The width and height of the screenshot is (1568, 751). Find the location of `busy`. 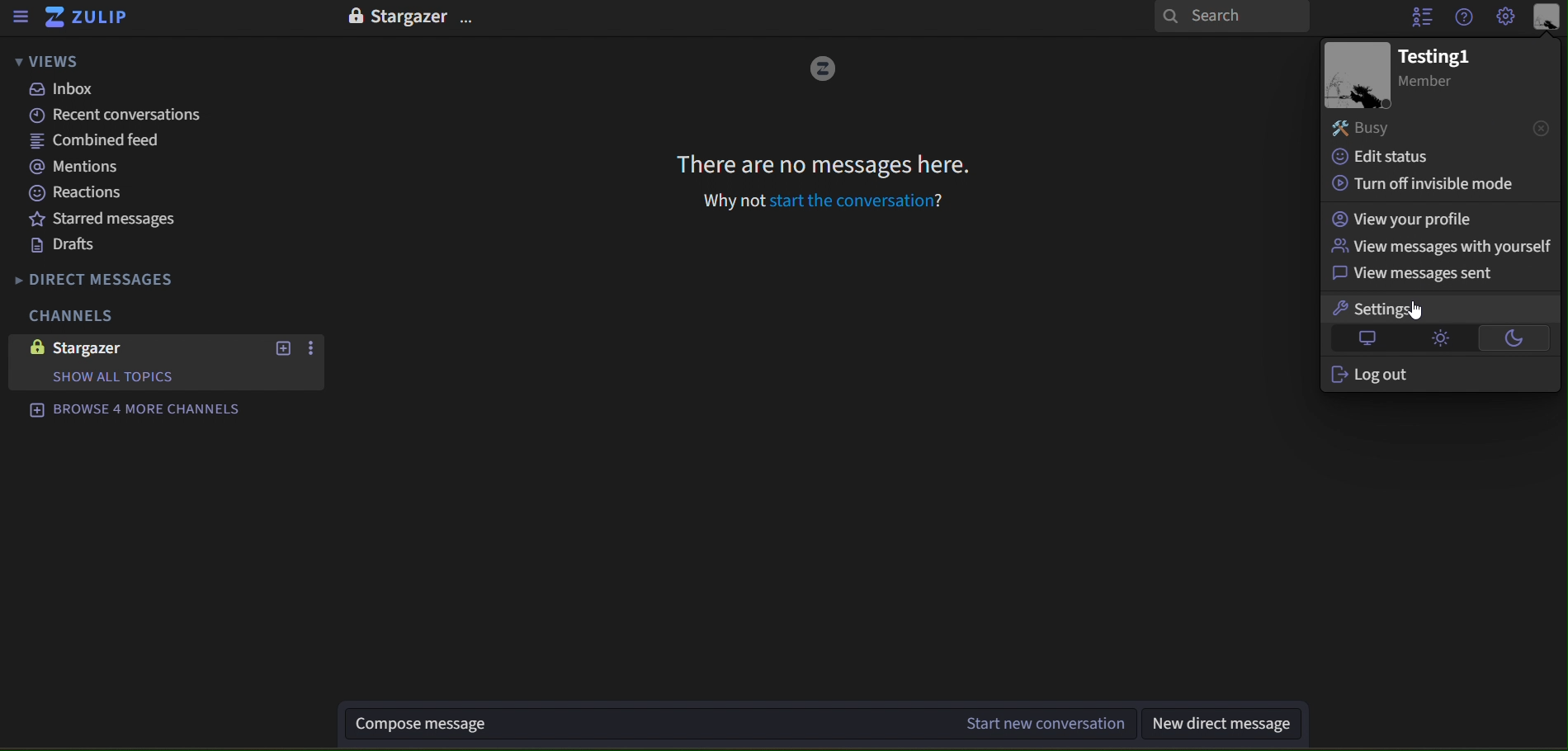

busy is located at coordinates (1439, 127).